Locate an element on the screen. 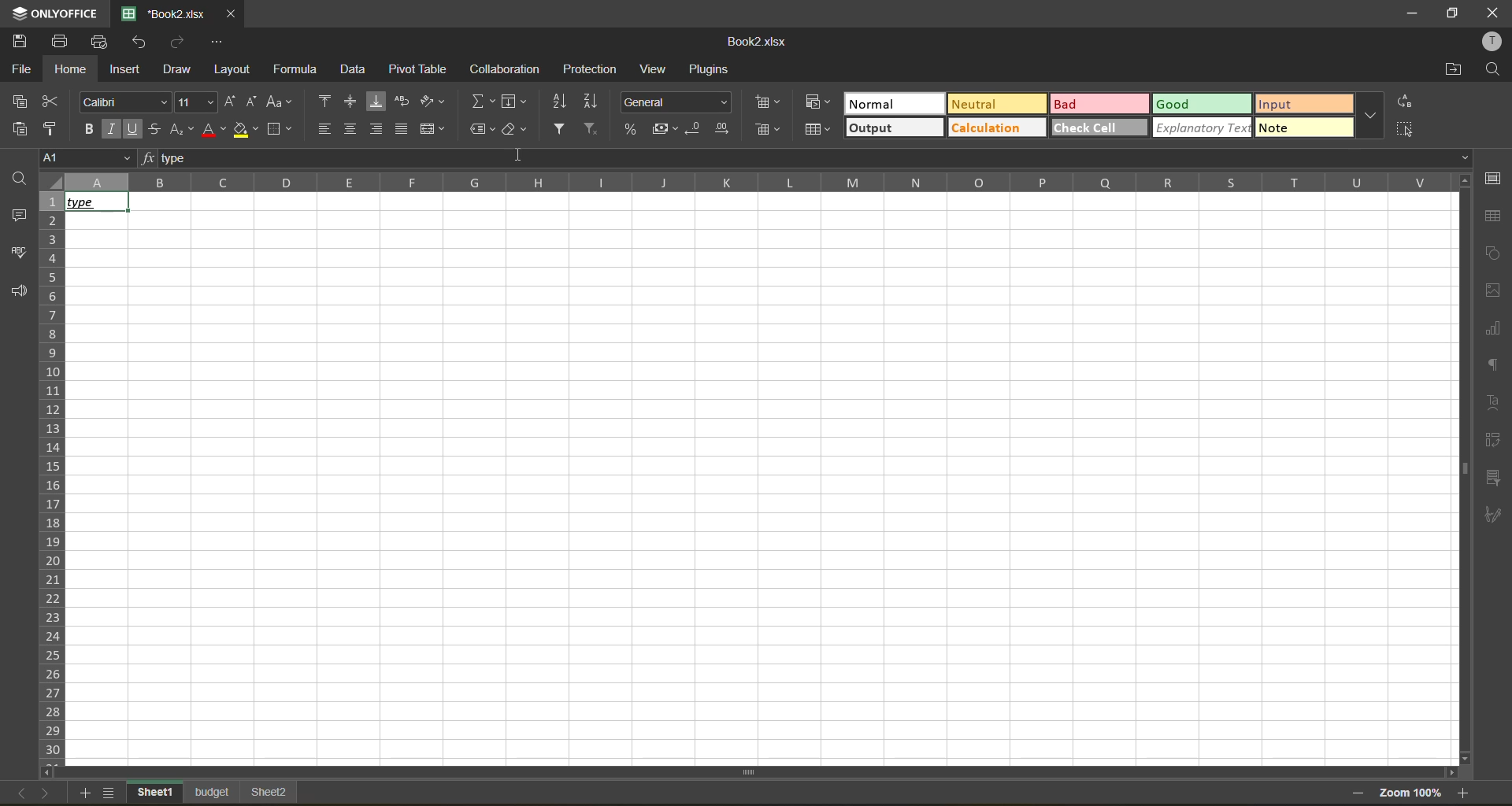  merge and center is located at coordinates (434, 129).